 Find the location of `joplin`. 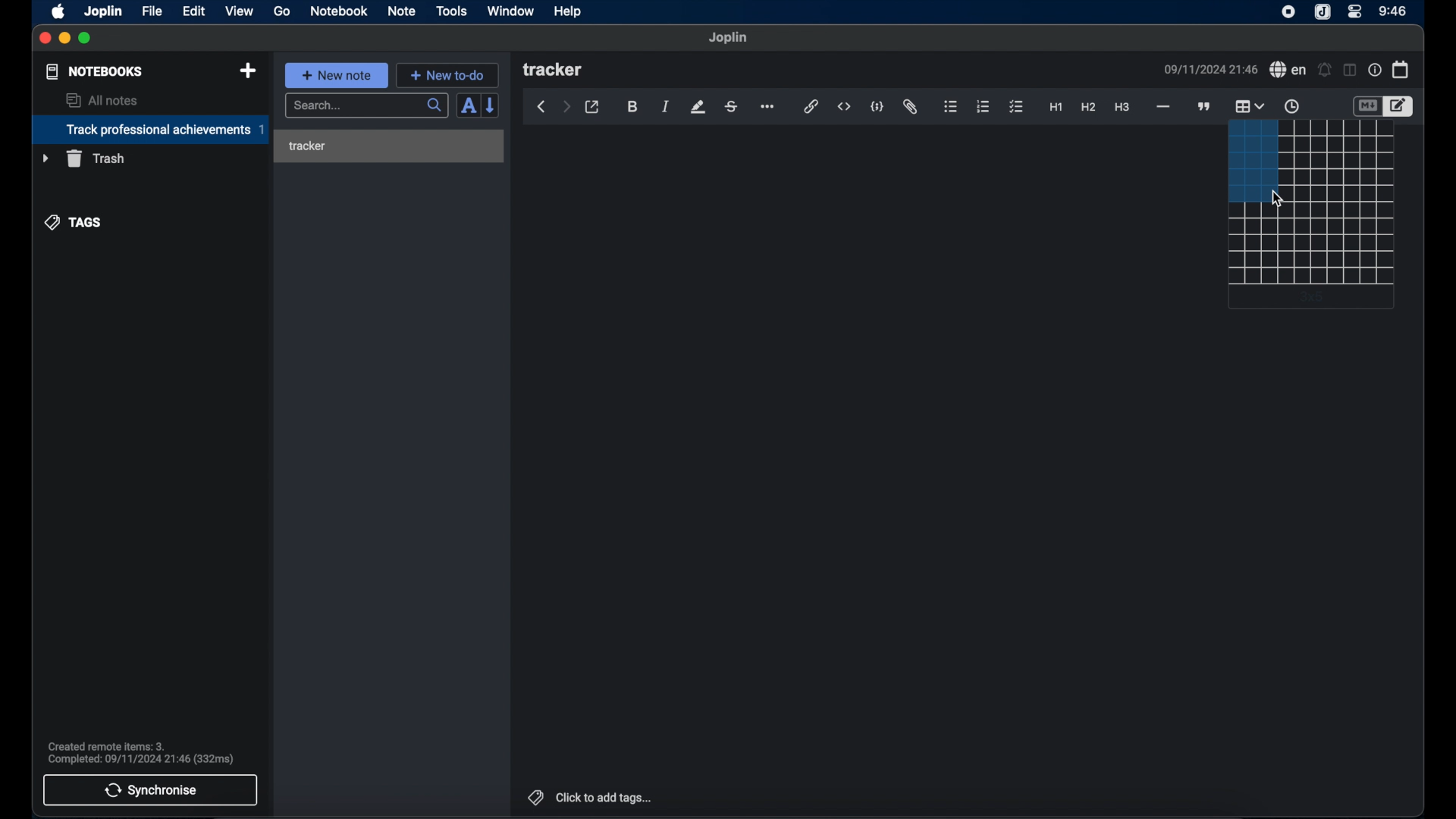

joplin is located at coordinates (1323, 13).